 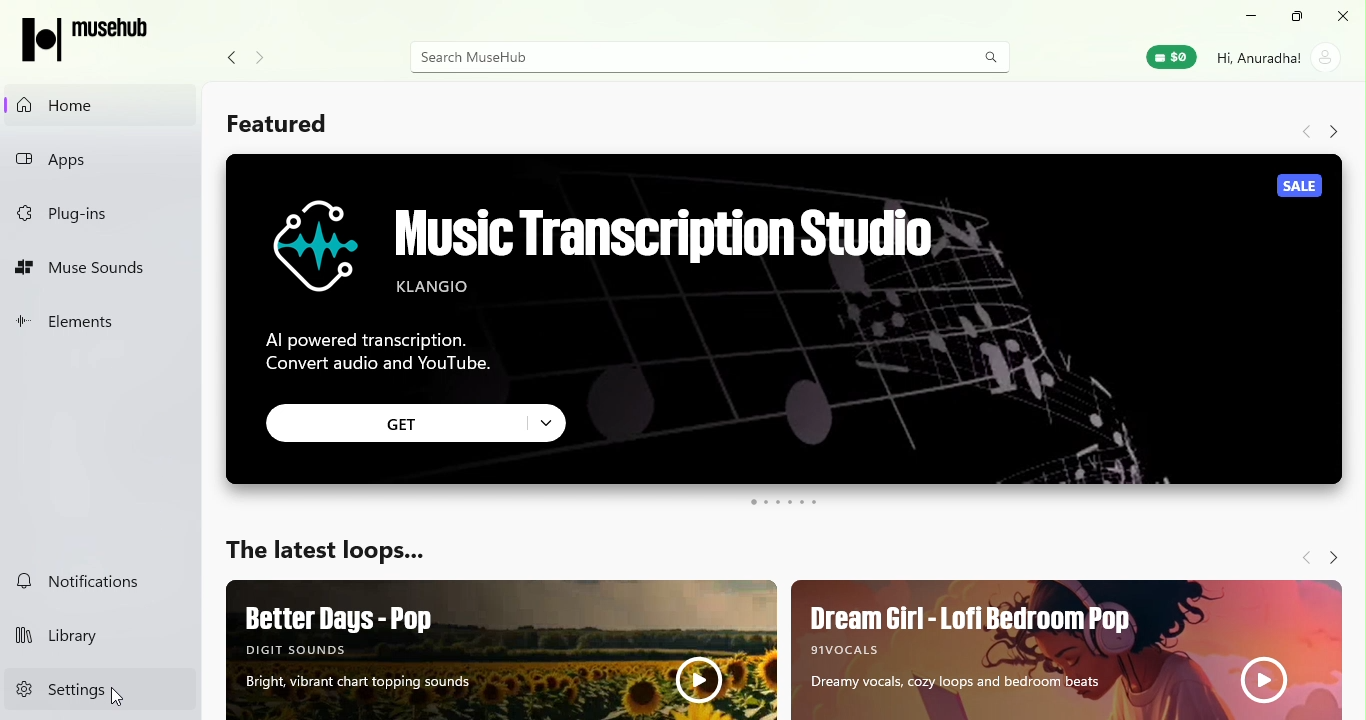 What do you see at coordinates (116, 697) in the screenshot?
I see `cursor` at bounding box center [116, 697].